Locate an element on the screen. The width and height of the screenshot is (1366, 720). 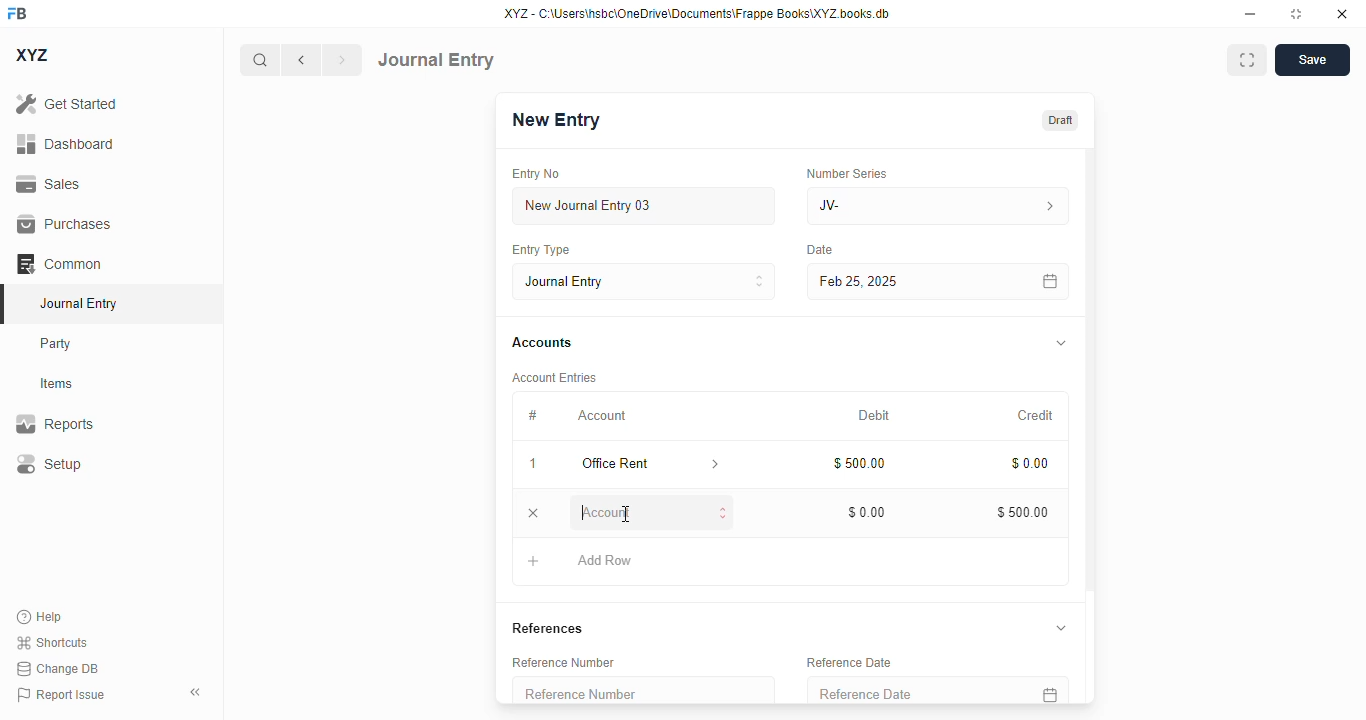
setup is located at coordinates (48, 463).